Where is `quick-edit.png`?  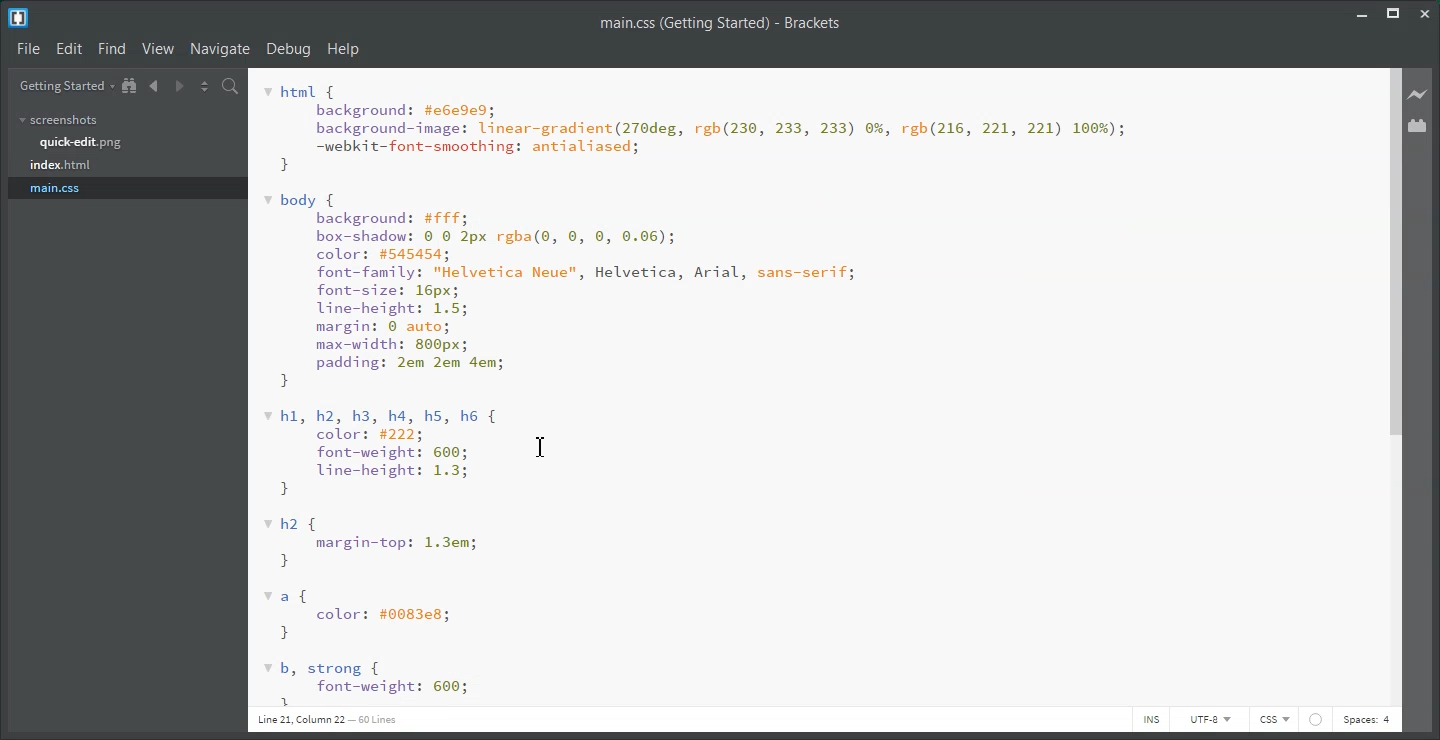 quick-edit.png is located at coordinates (80, 143).